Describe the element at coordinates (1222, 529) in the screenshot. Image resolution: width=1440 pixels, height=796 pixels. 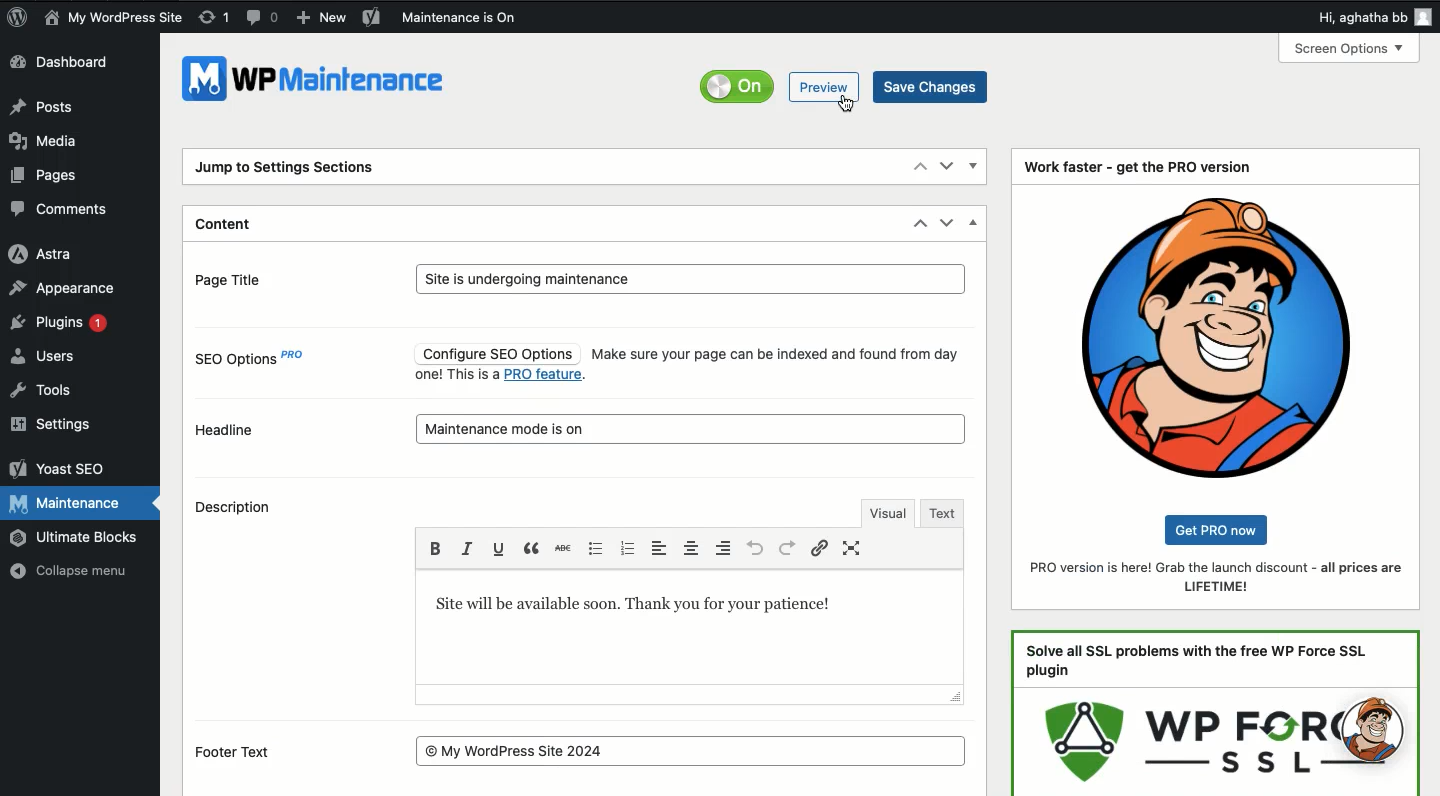
I see `get pro now` at that location.